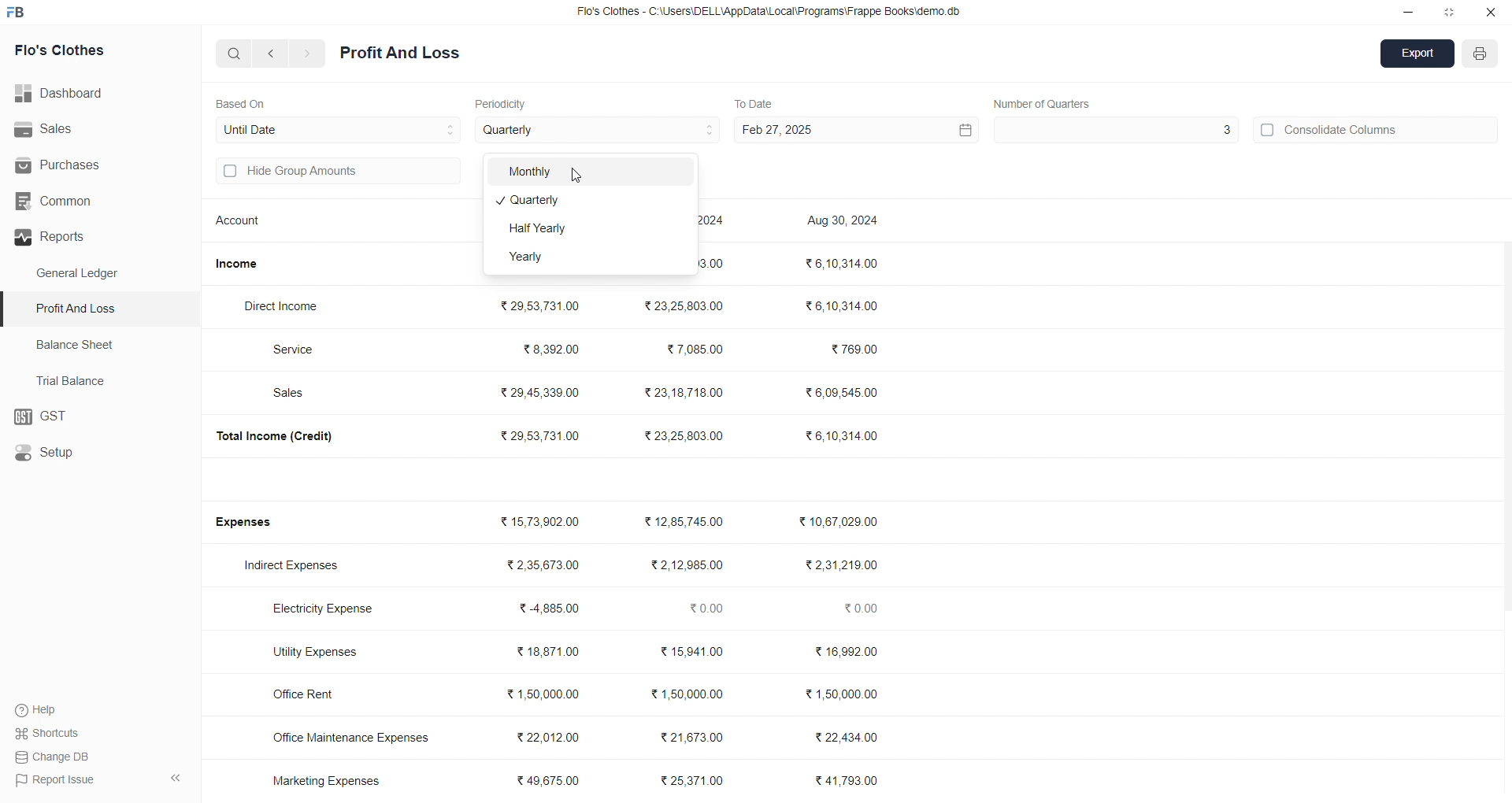 This screenshot has height=803, width=1512. I want to click on Report Issue, so click(56, 779).